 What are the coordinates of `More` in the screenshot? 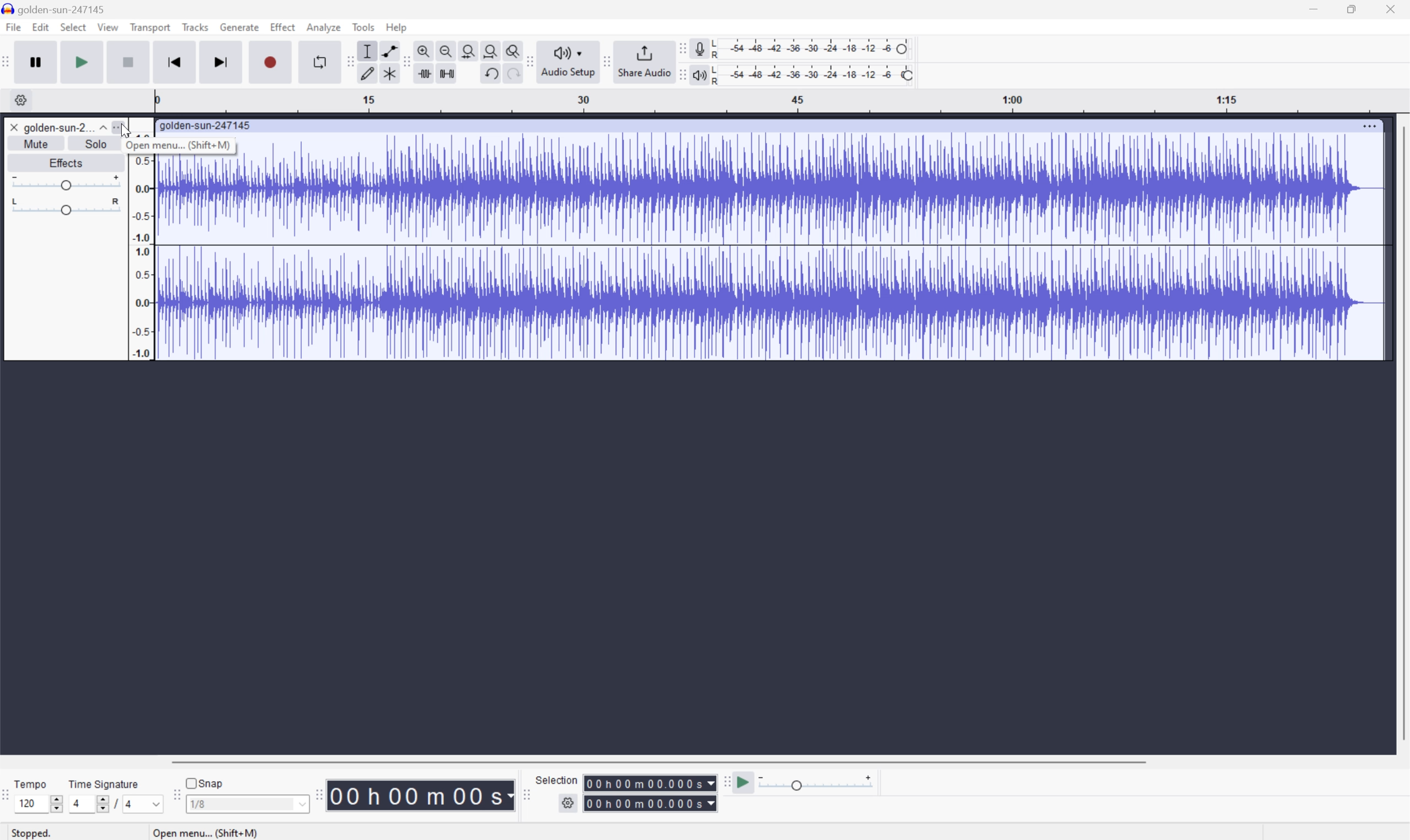 It's located at (1370, 126).